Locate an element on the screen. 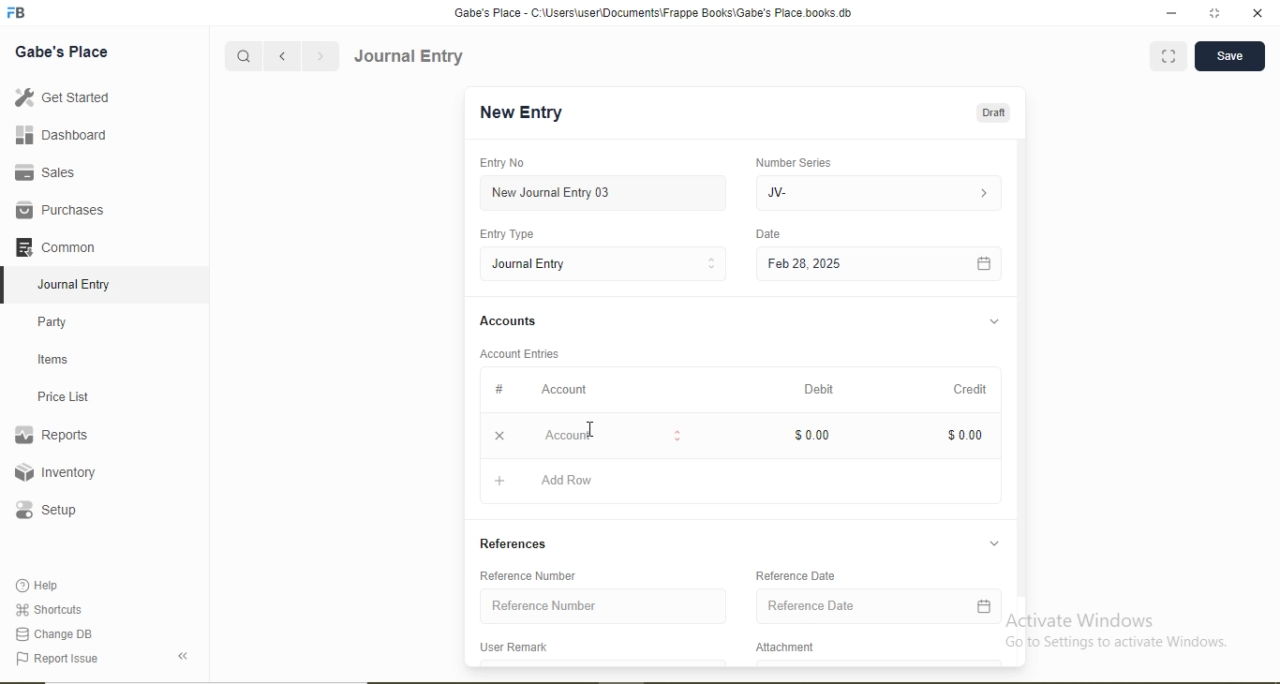 This screenshot has width=1280, height=684. Entry Type is located at coordinates (505, 234).